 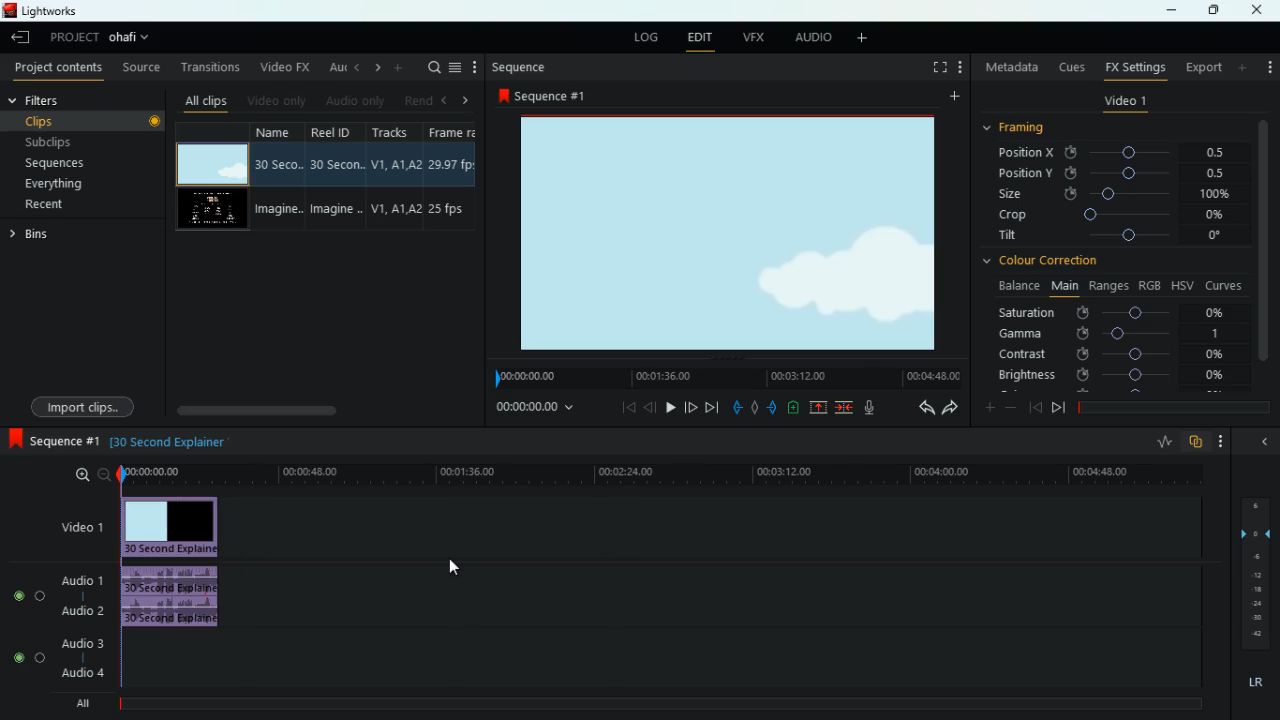 I want to click on recent, so click(x=47, y=206).